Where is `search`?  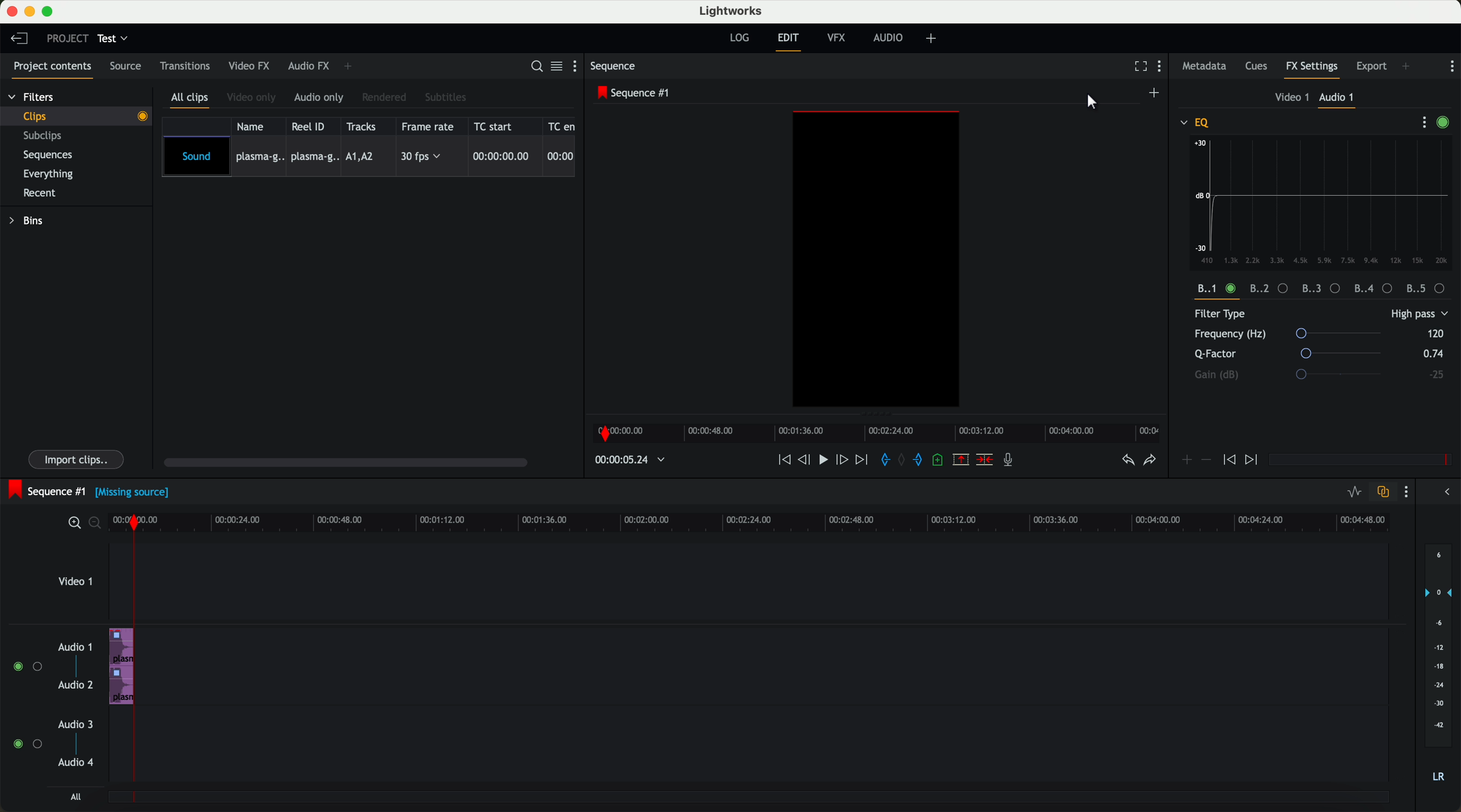 search is located at coordinates (535, 67).